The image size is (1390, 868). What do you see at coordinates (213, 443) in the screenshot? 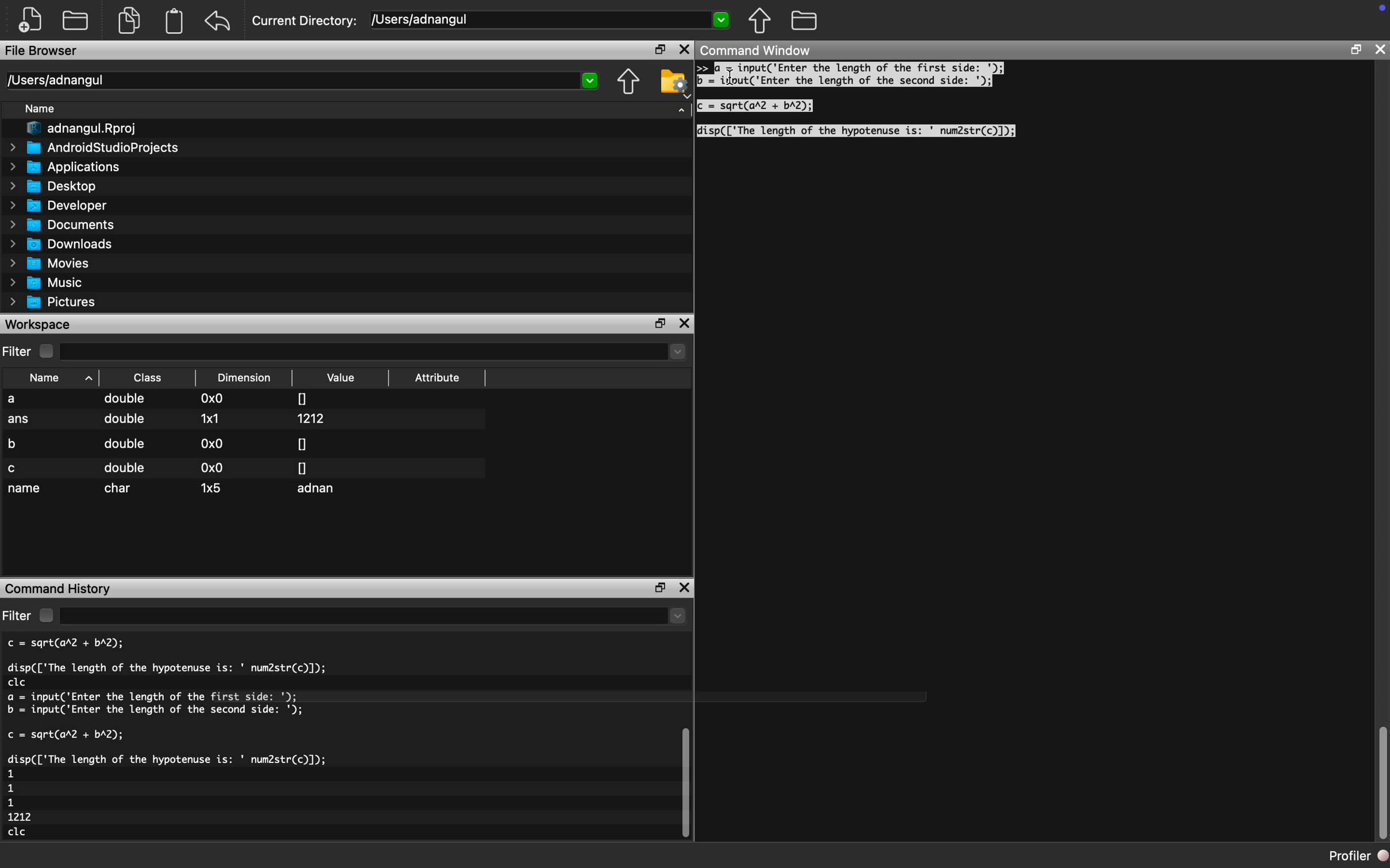
I see `0x0` at bounding box center [213, 443].